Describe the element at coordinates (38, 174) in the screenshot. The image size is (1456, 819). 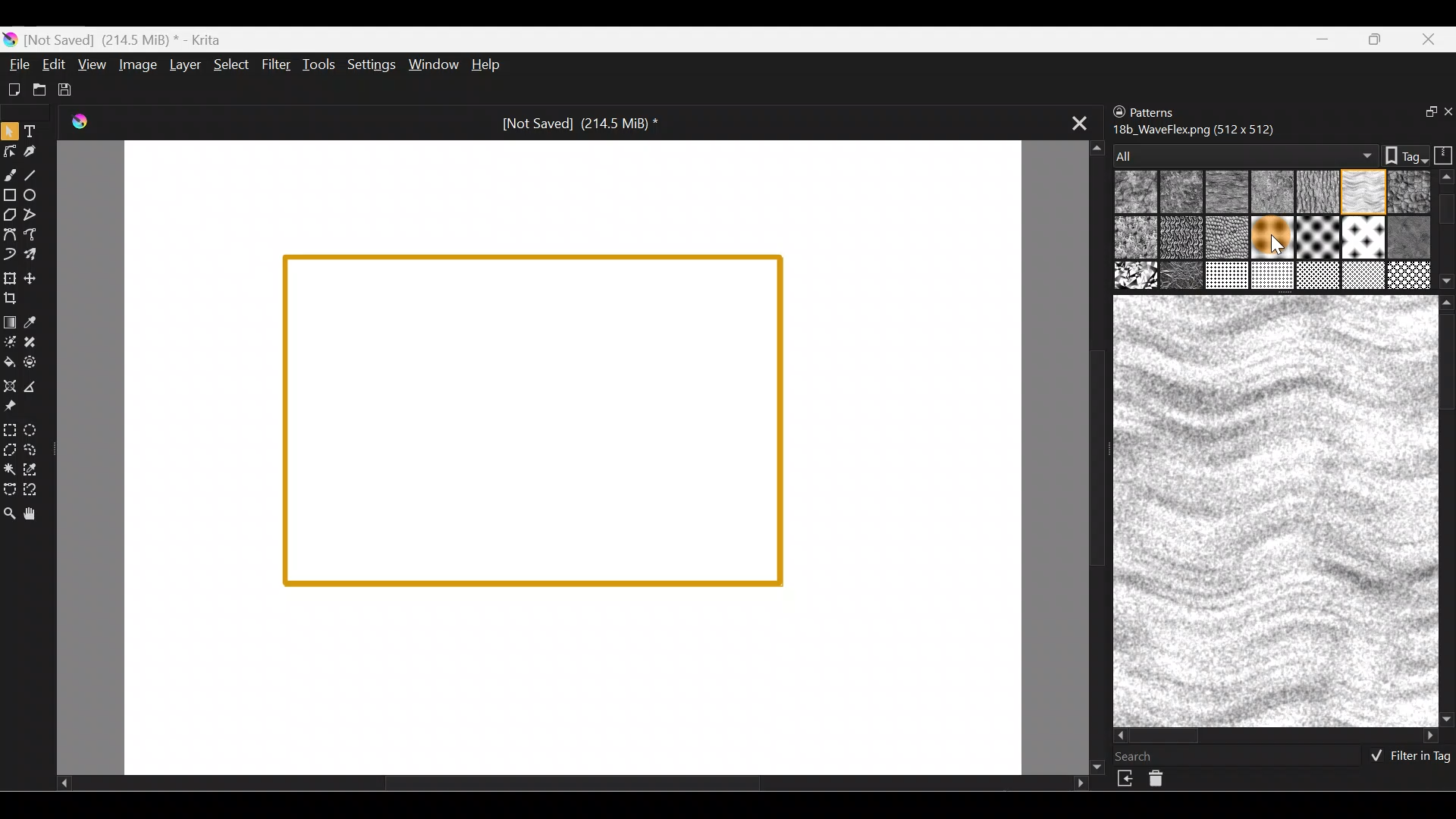
I see `Line tool` at that location.